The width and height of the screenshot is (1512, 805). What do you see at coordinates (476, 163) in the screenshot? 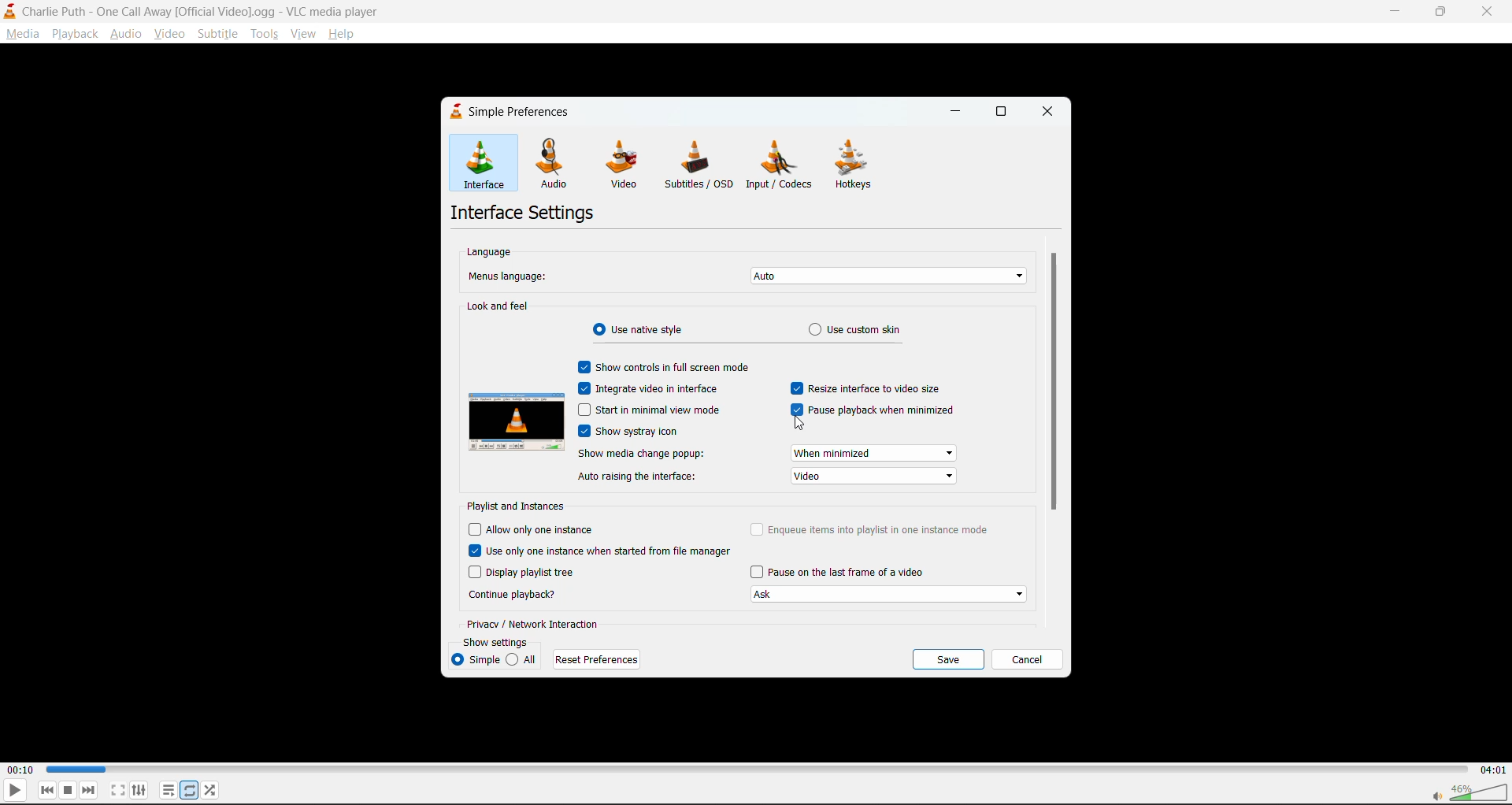
I see `interface` at bounding box center [476, 163].